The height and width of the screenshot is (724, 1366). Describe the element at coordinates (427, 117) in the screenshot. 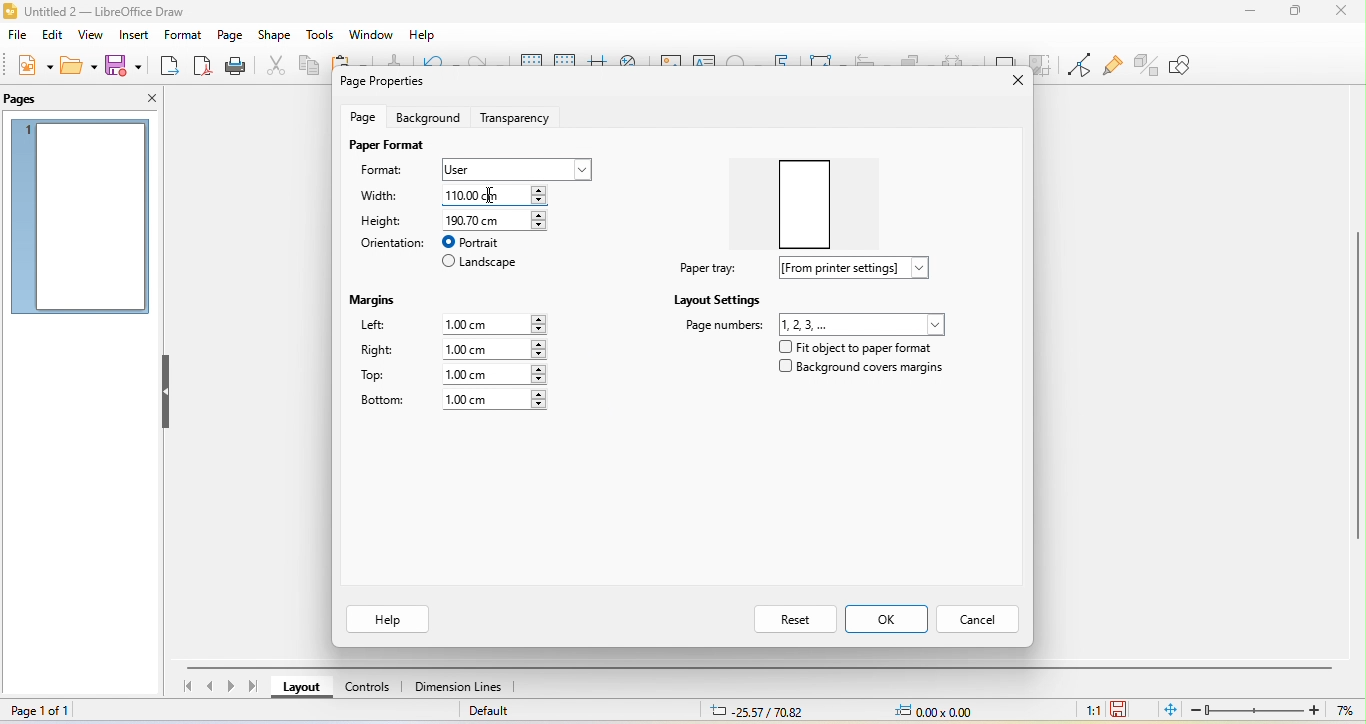

I see `background` at that location.